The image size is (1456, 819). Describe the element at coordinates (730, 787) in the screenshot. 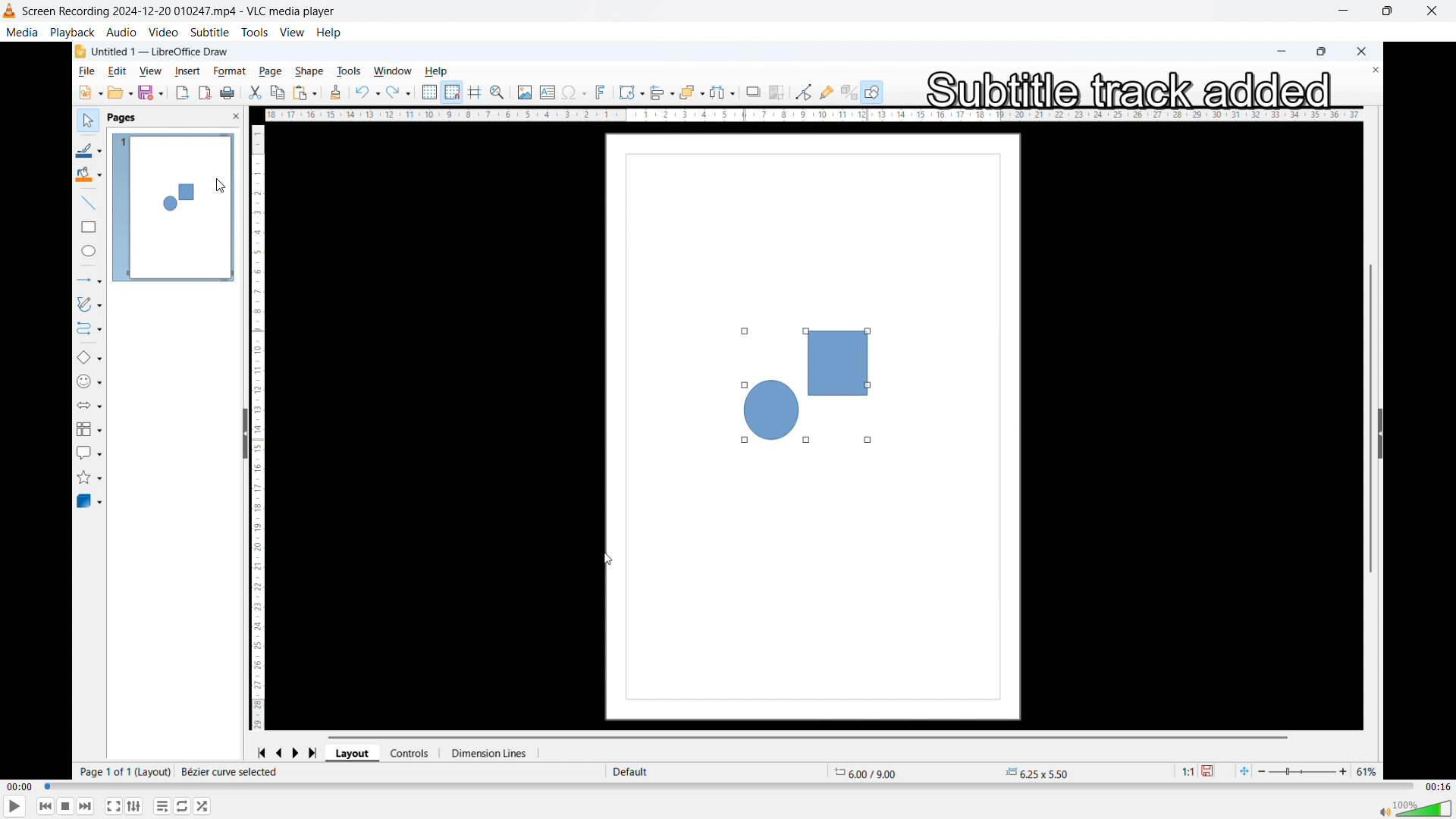

I see `Time bar ` at that location.